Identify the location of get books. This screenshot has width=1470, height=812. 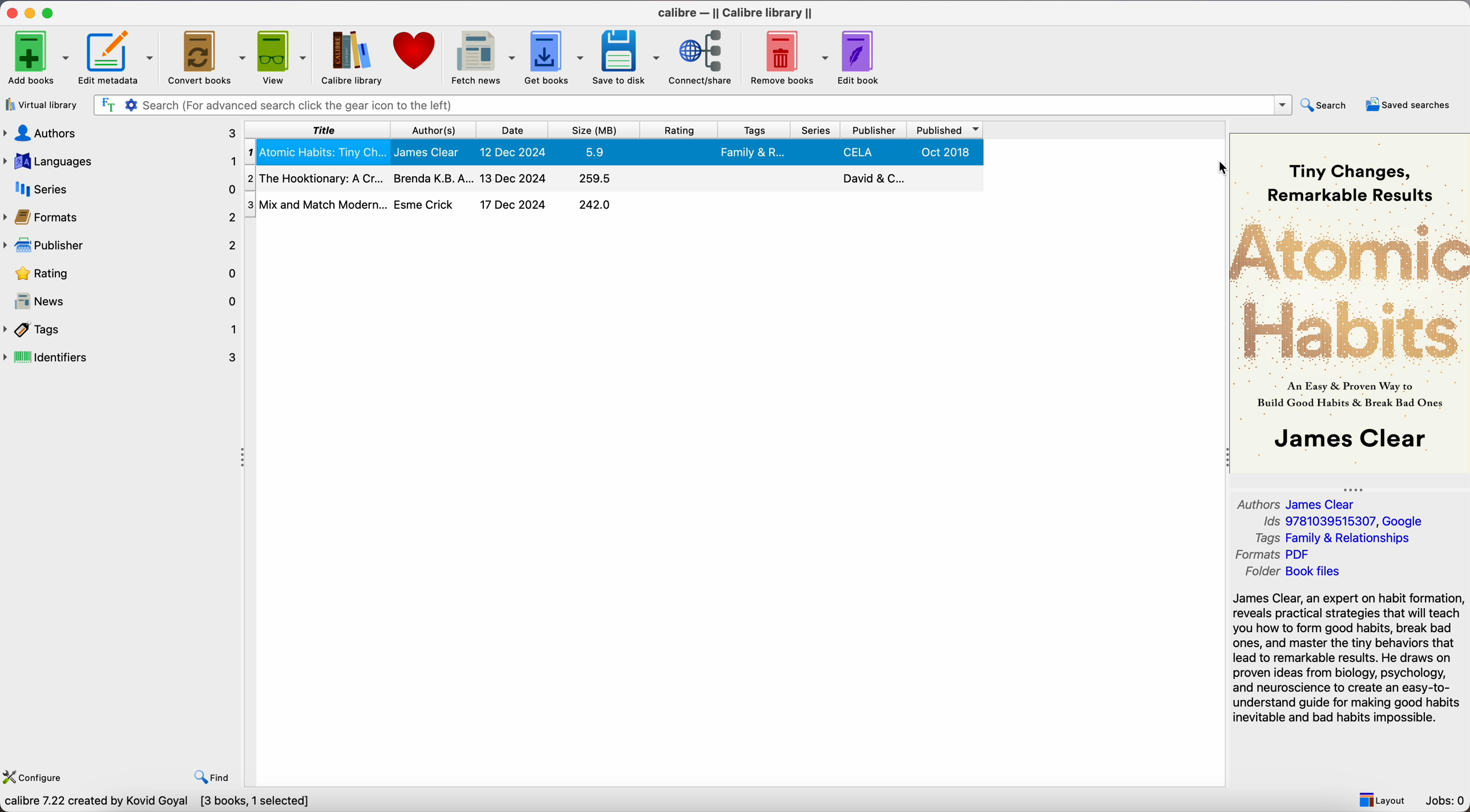
(555, 58).